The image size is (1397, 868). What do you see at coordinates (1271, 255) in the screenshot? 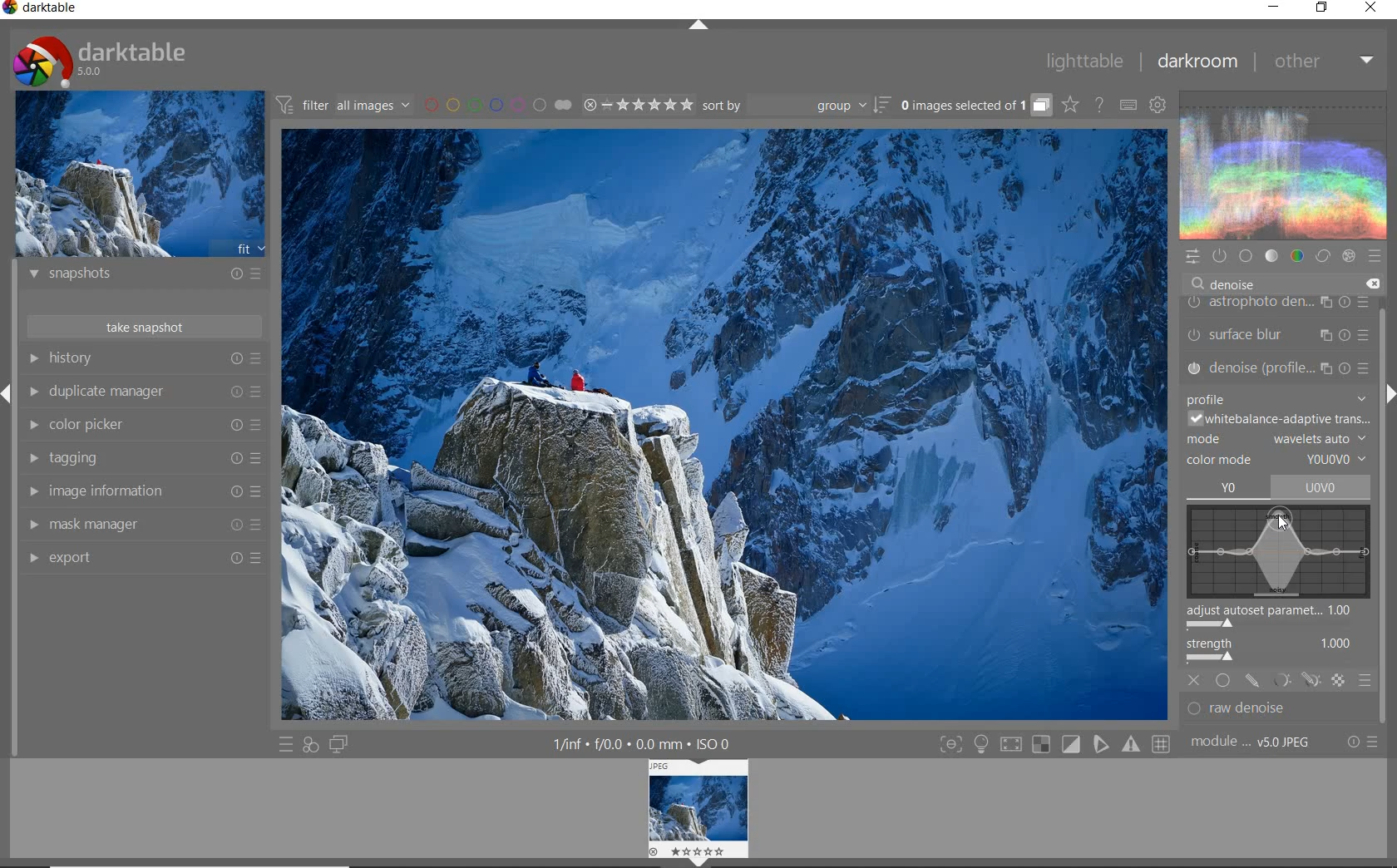
I see `tone` at bounding box center [1271, 255].